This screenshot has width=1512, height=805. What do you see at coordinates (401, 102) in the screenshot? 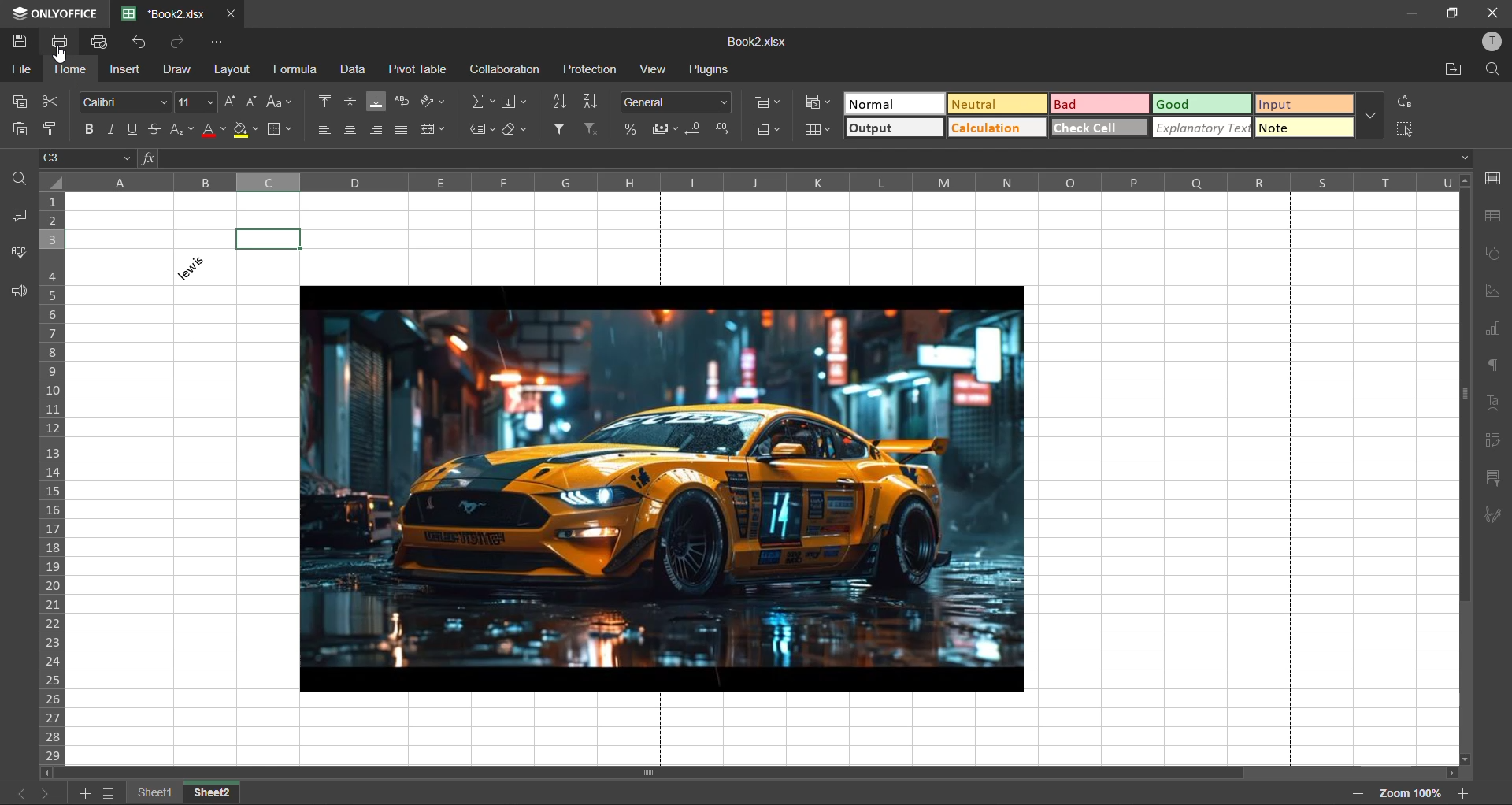
I see `wrap text` at bounding box center [401, 102].